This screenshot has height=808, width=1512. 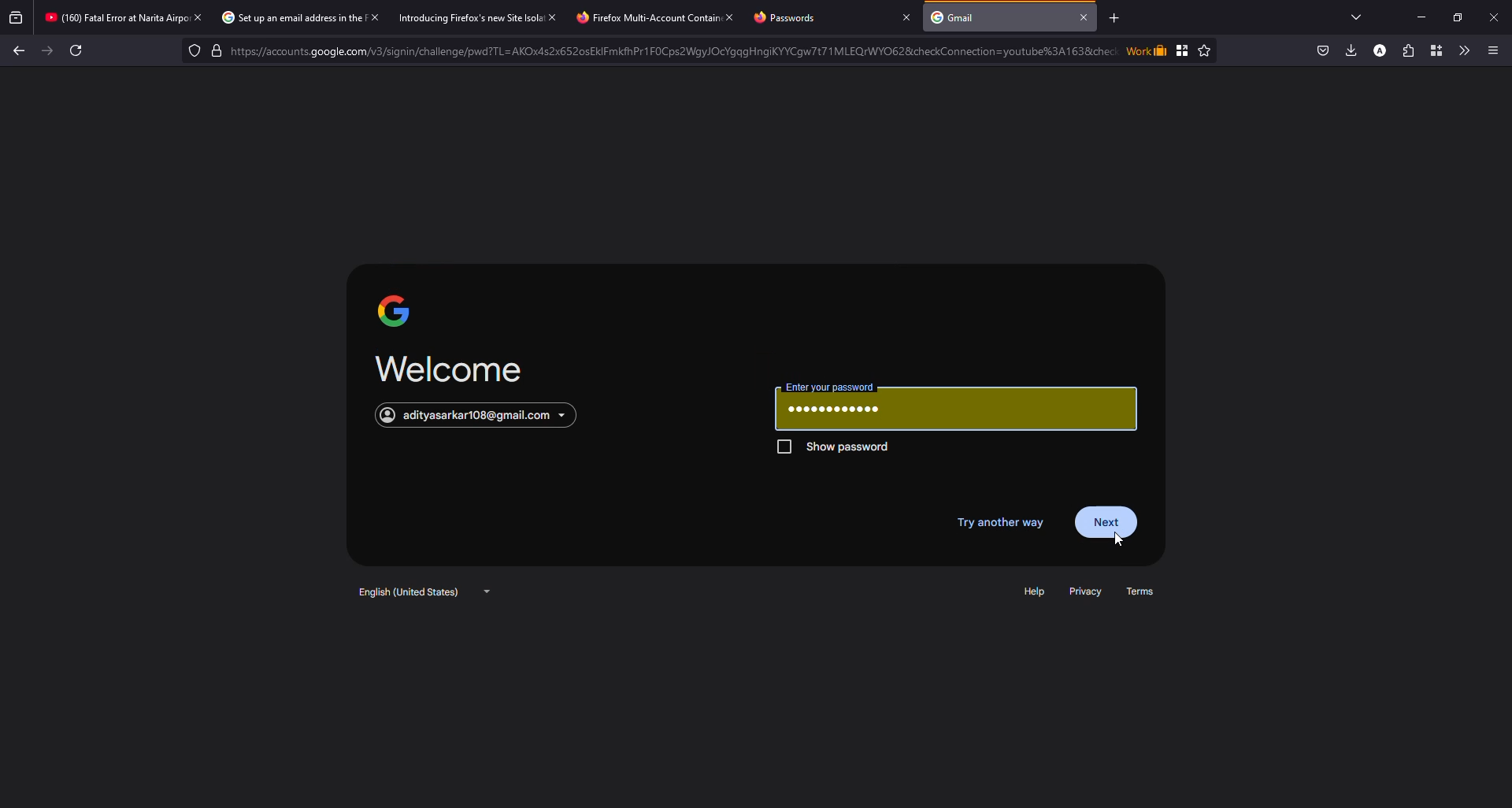 I want to click on try another way, so click(x=1002, y=524).